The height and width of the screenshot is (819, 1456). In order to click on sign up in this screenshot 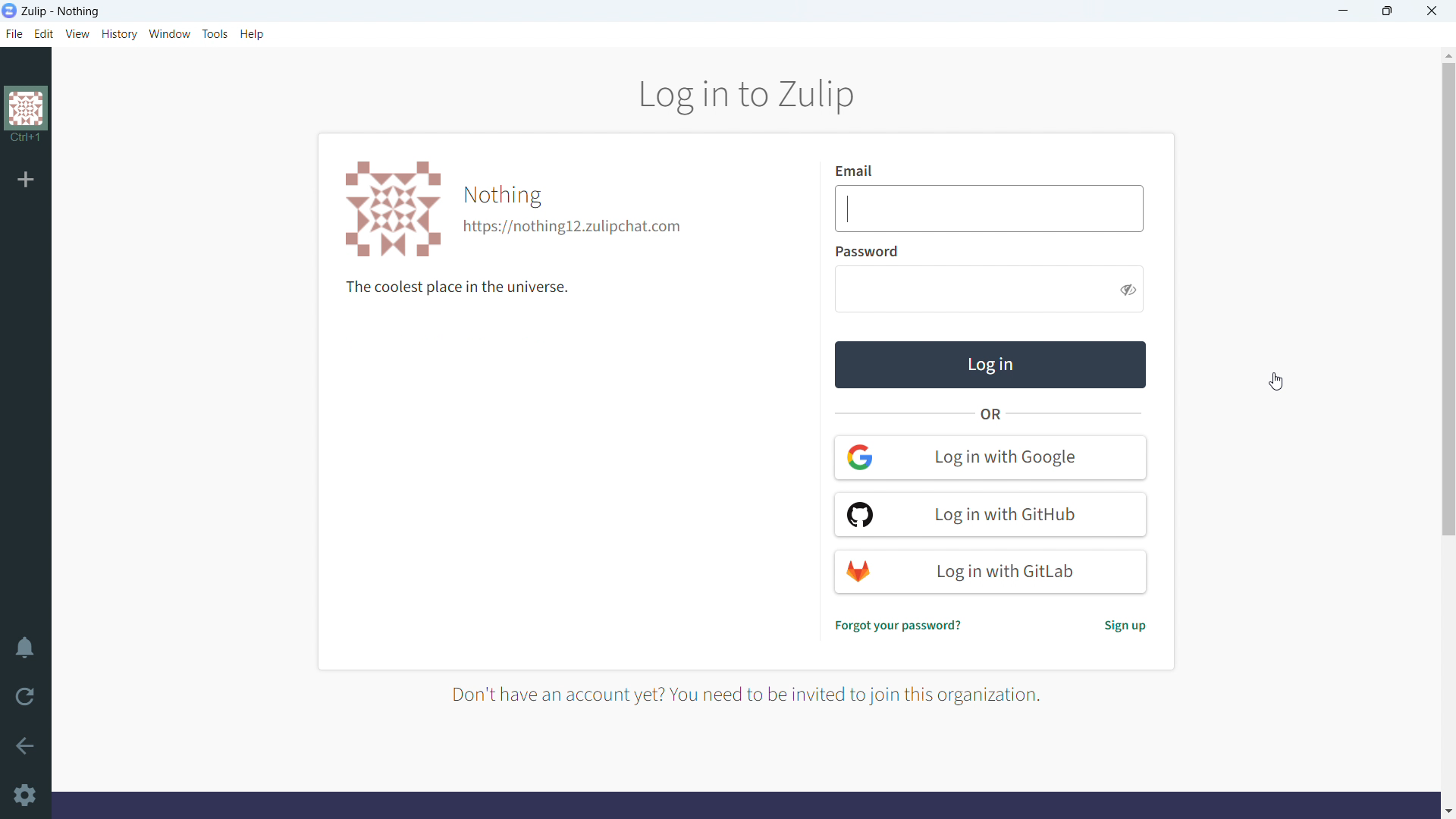, I will do `click(1124, 627)`.